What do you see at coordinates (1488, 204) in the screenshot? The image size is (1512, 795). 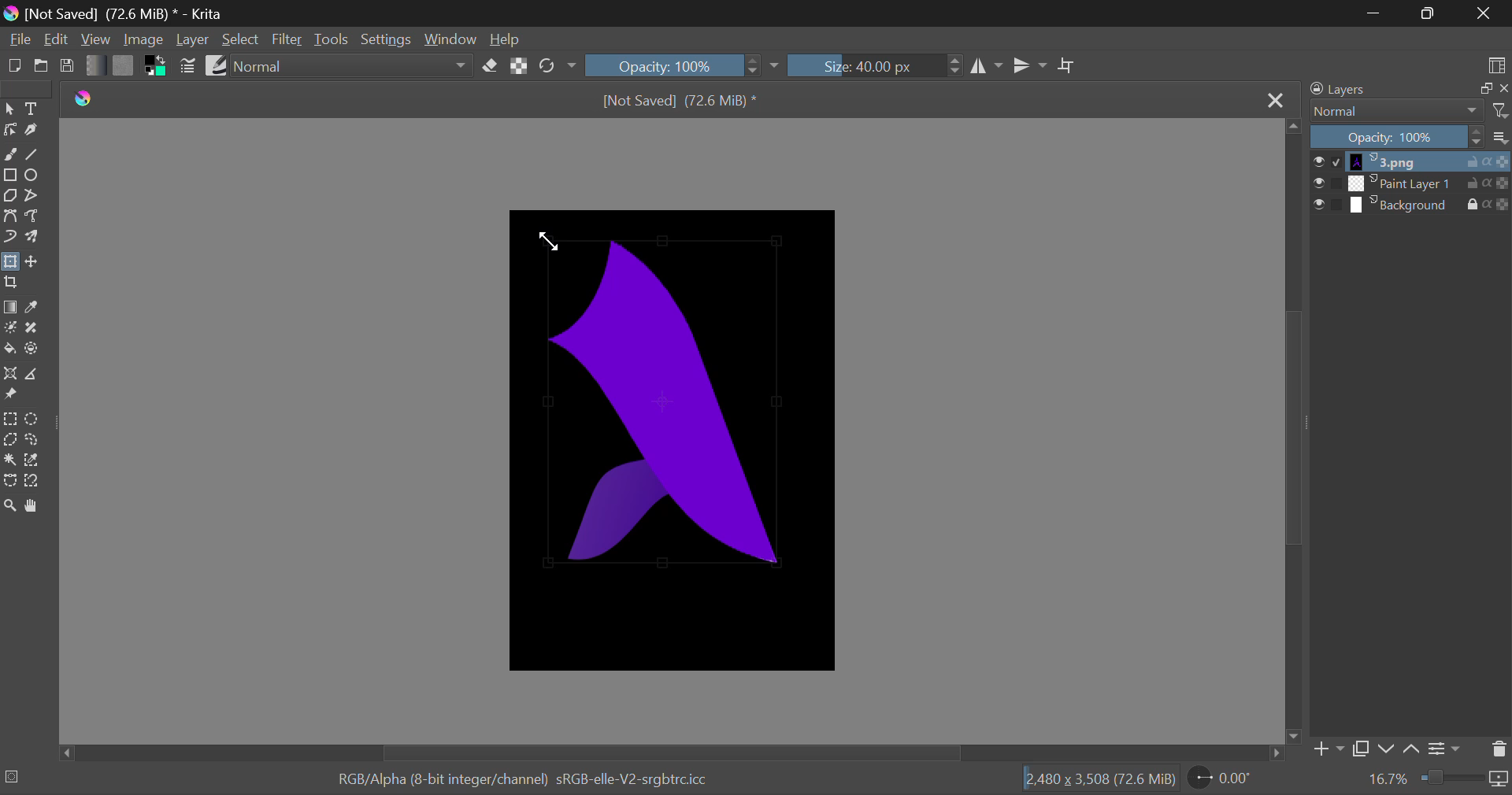 I see `actions` at bounding box center [1488, 204].